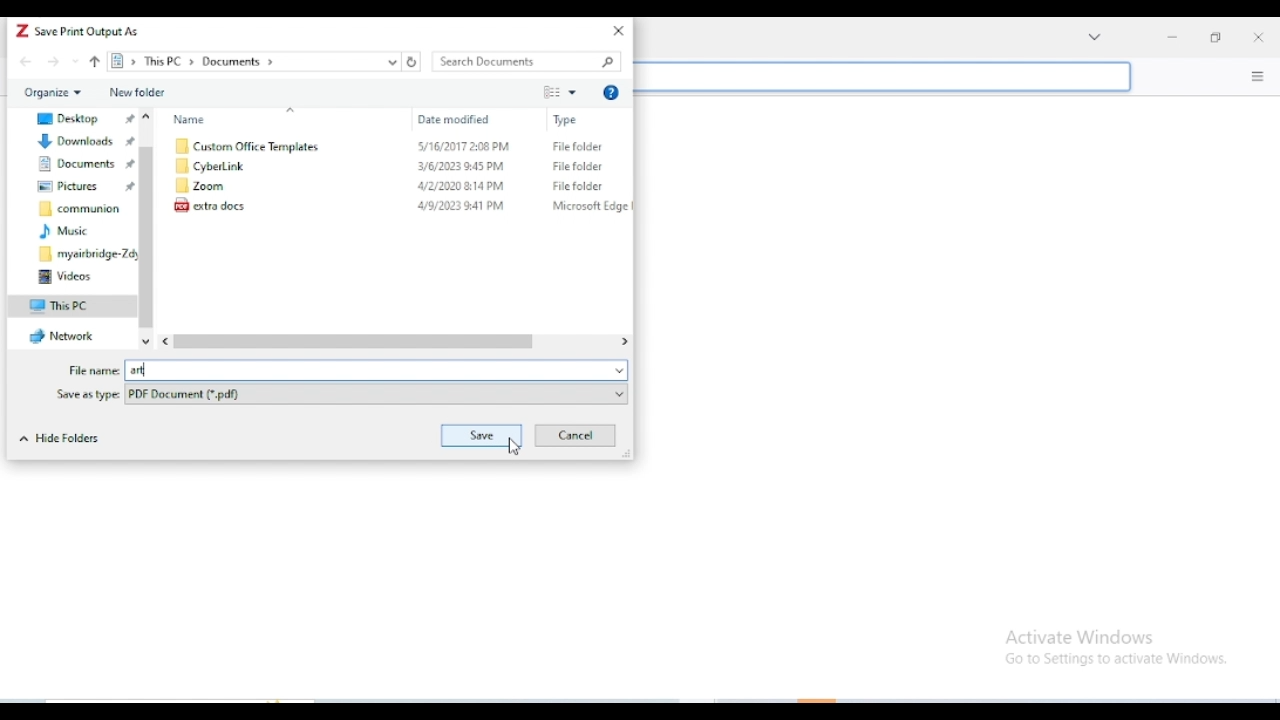 Image resolution: width=1280 pixels, height=720 pixels. What do you see at coordinates (1119, 660) in the screenshot?
I see `Go to Settings to activate Windows.` at bounding box center [1119, 660].